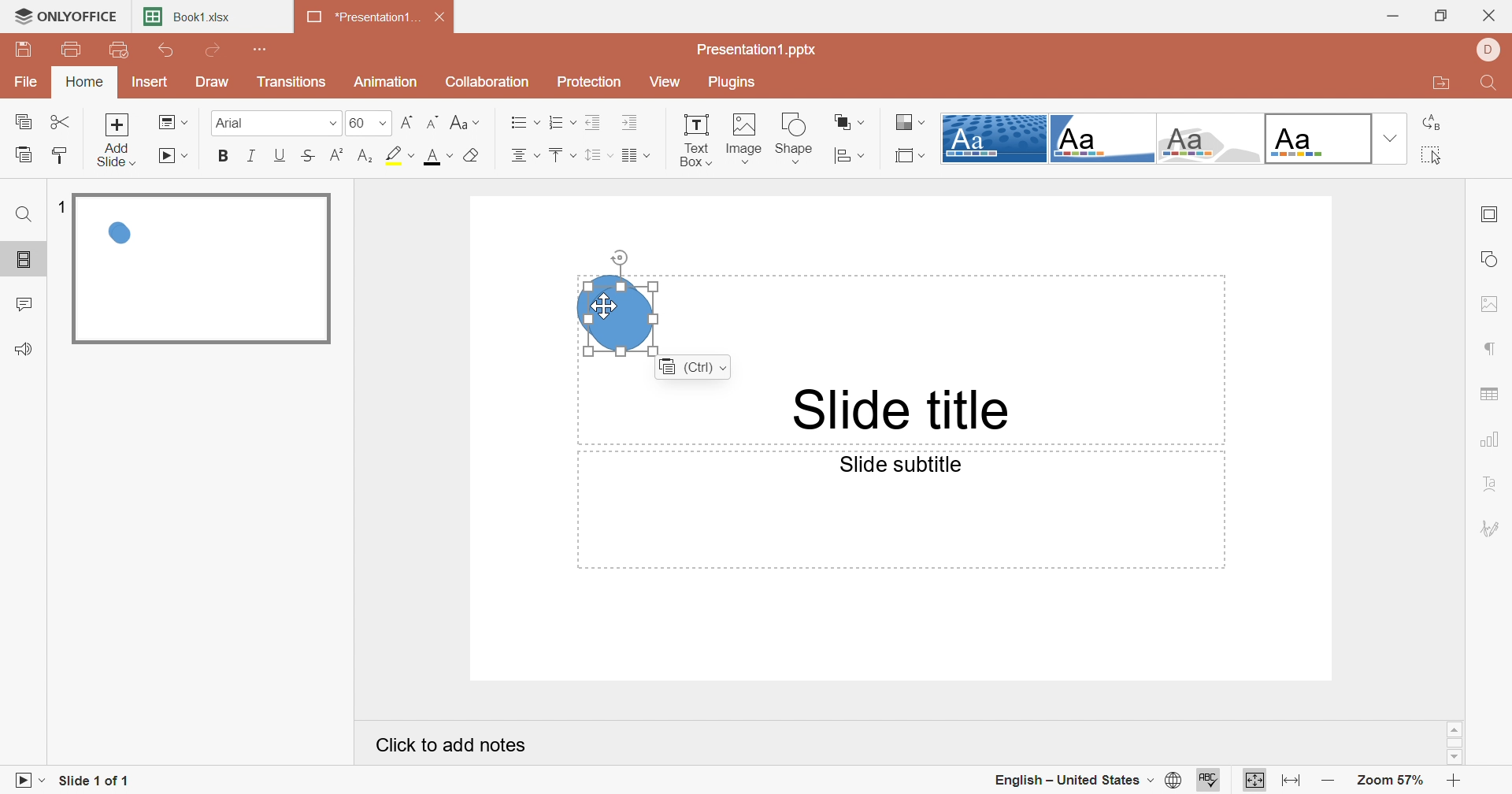 The image size is (1512, 794). What do you see at coordinates (1492, 440) in the screenshot?
I see `Chart settings` at bounding box center [1492, 440].